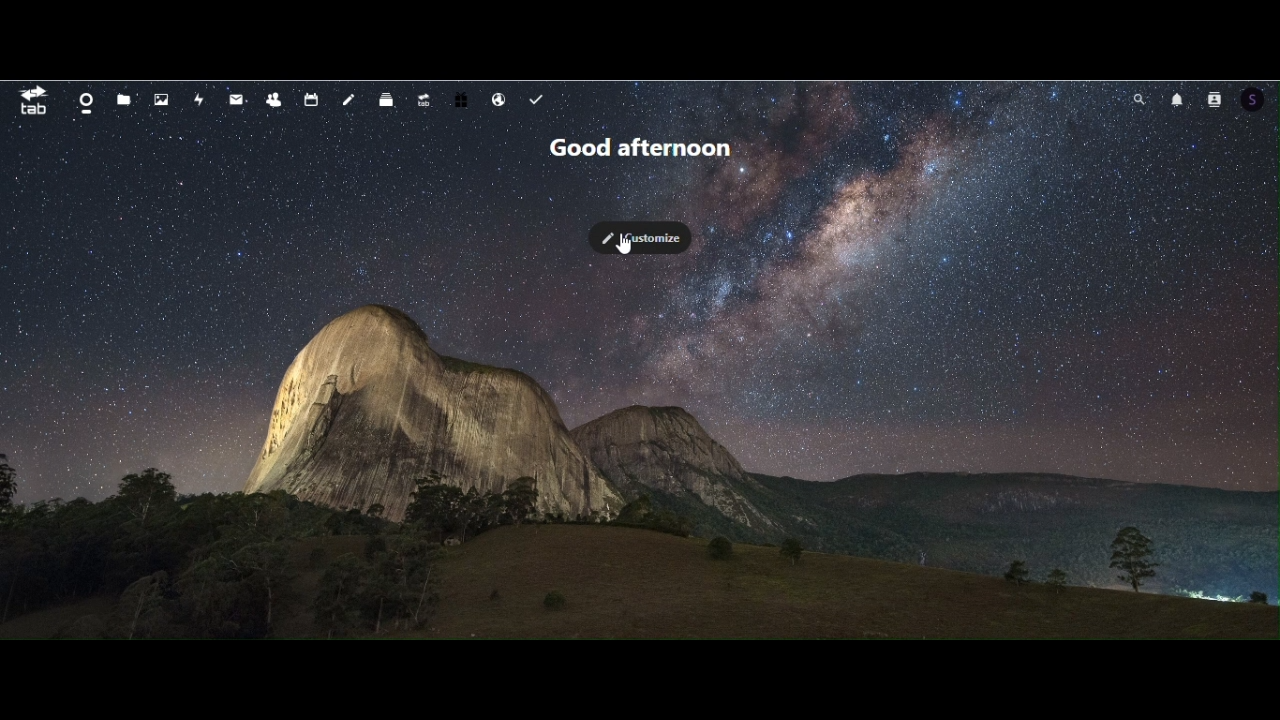 Image resolution: width=1280 pixels, height=720 pixels. Describe the element at coordinates (426, 97) in the screenshot. I see `upgrade` at that location.